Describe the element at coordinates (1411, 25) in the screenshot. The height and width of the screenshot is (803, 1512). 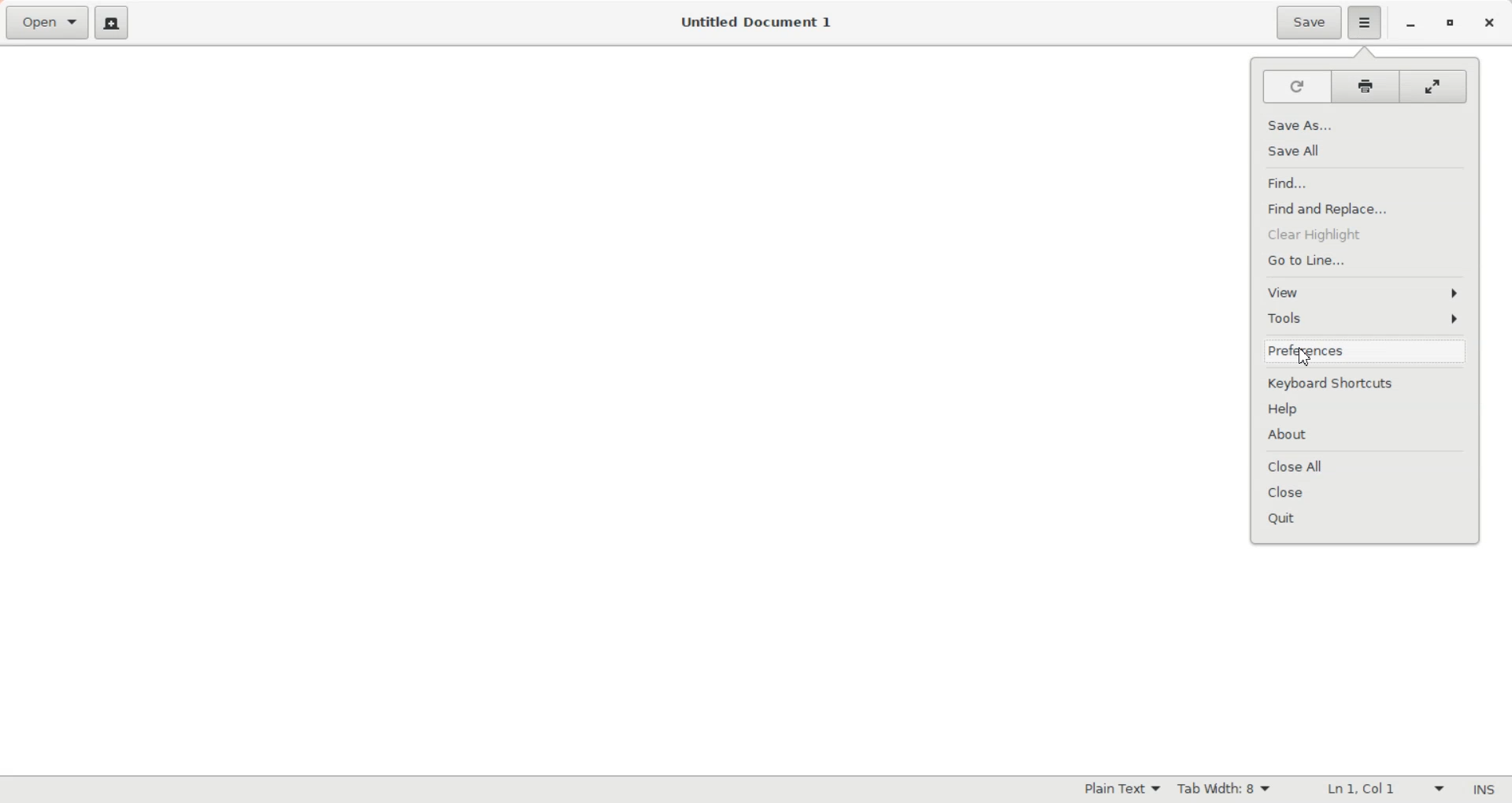
I see `Minimize` at that location.